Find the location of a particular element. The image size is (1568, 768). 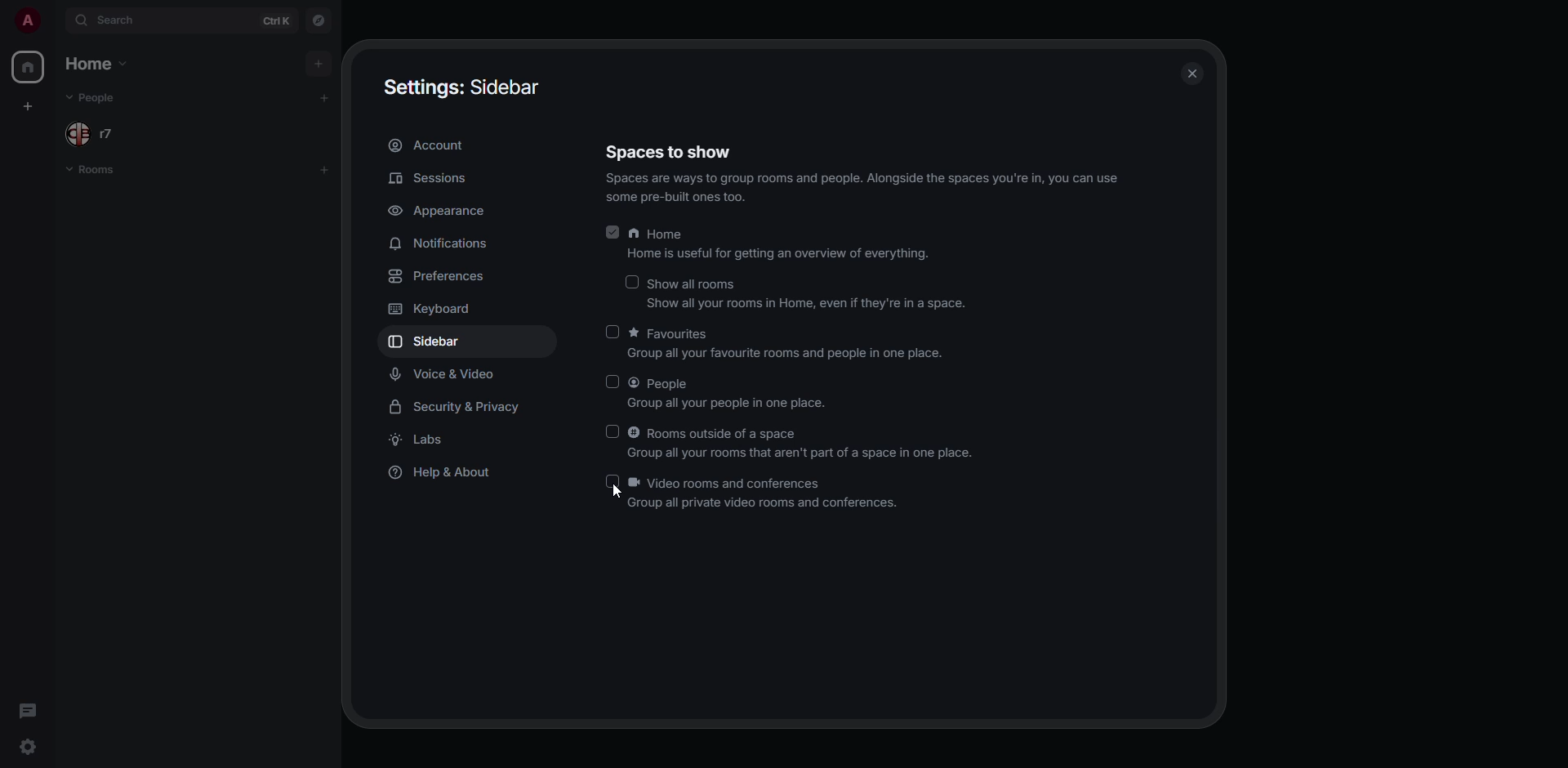

Spaces are ways to group rooms and people. Alongside the spaces you're in, you can use
some pre-built ones too. is located at coordinates (862, 186).